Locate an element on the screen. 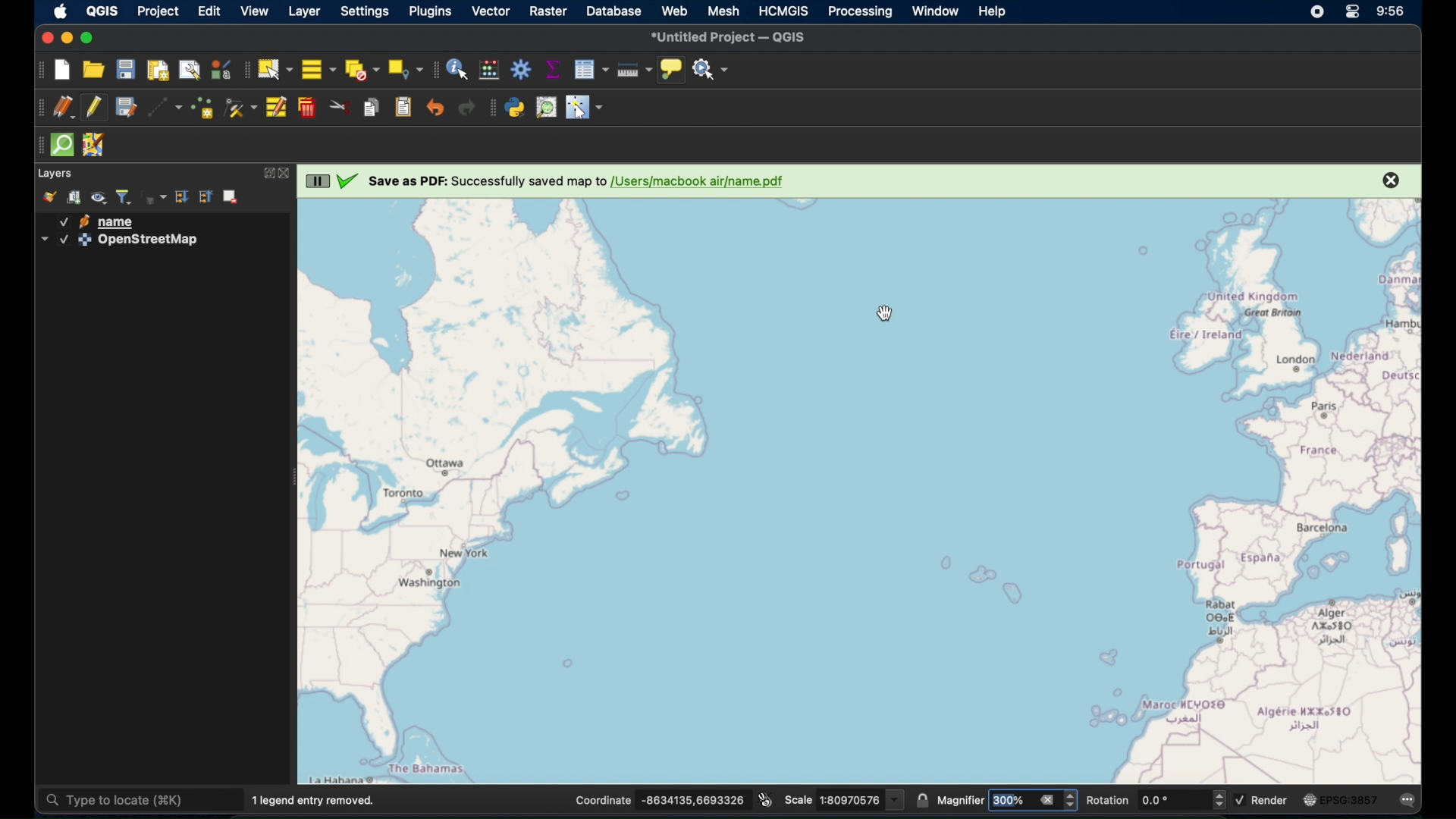  vector is located at coordinates (491, 12).